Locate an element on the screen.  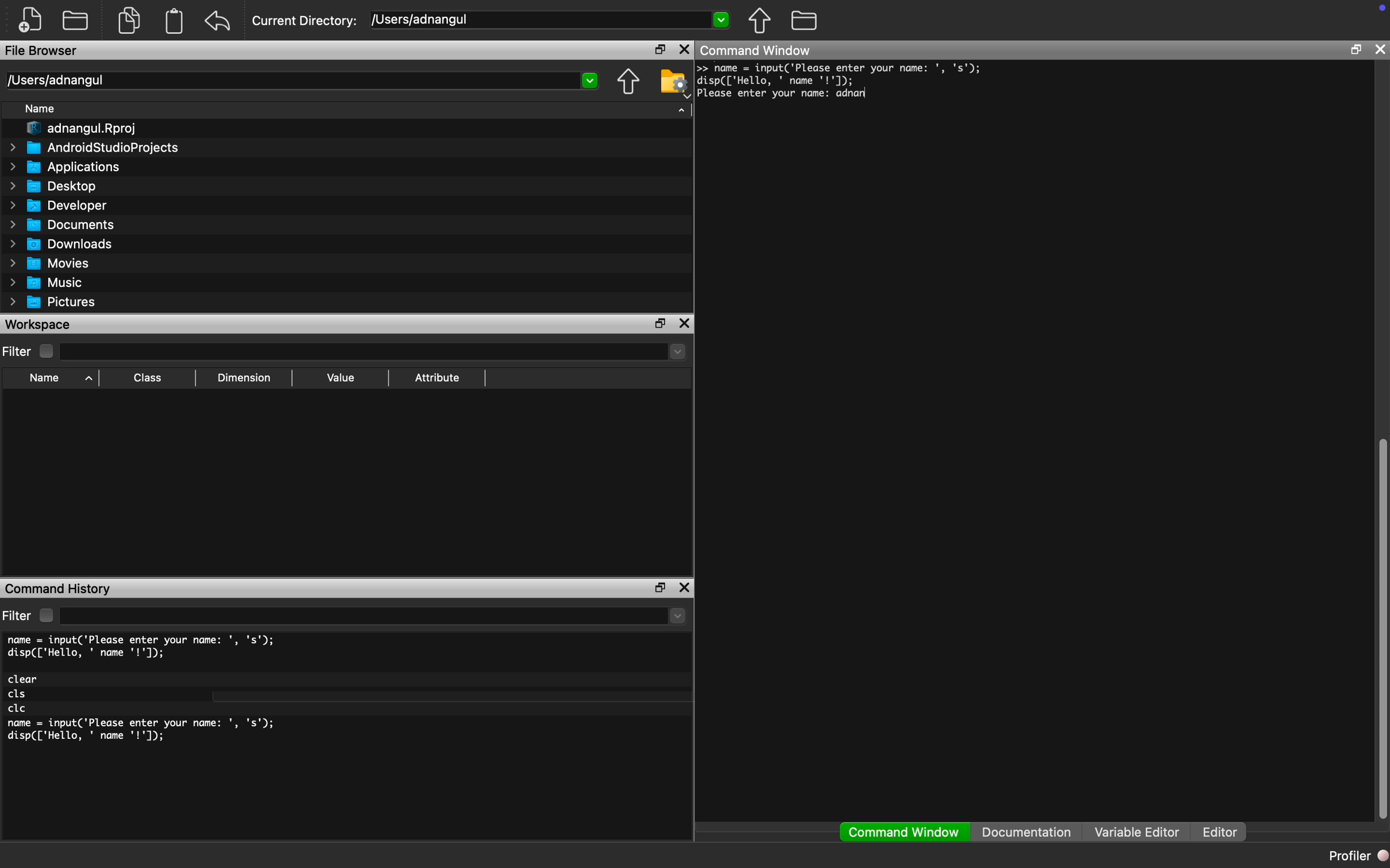
dropdown is located at coordinates (591, 81).